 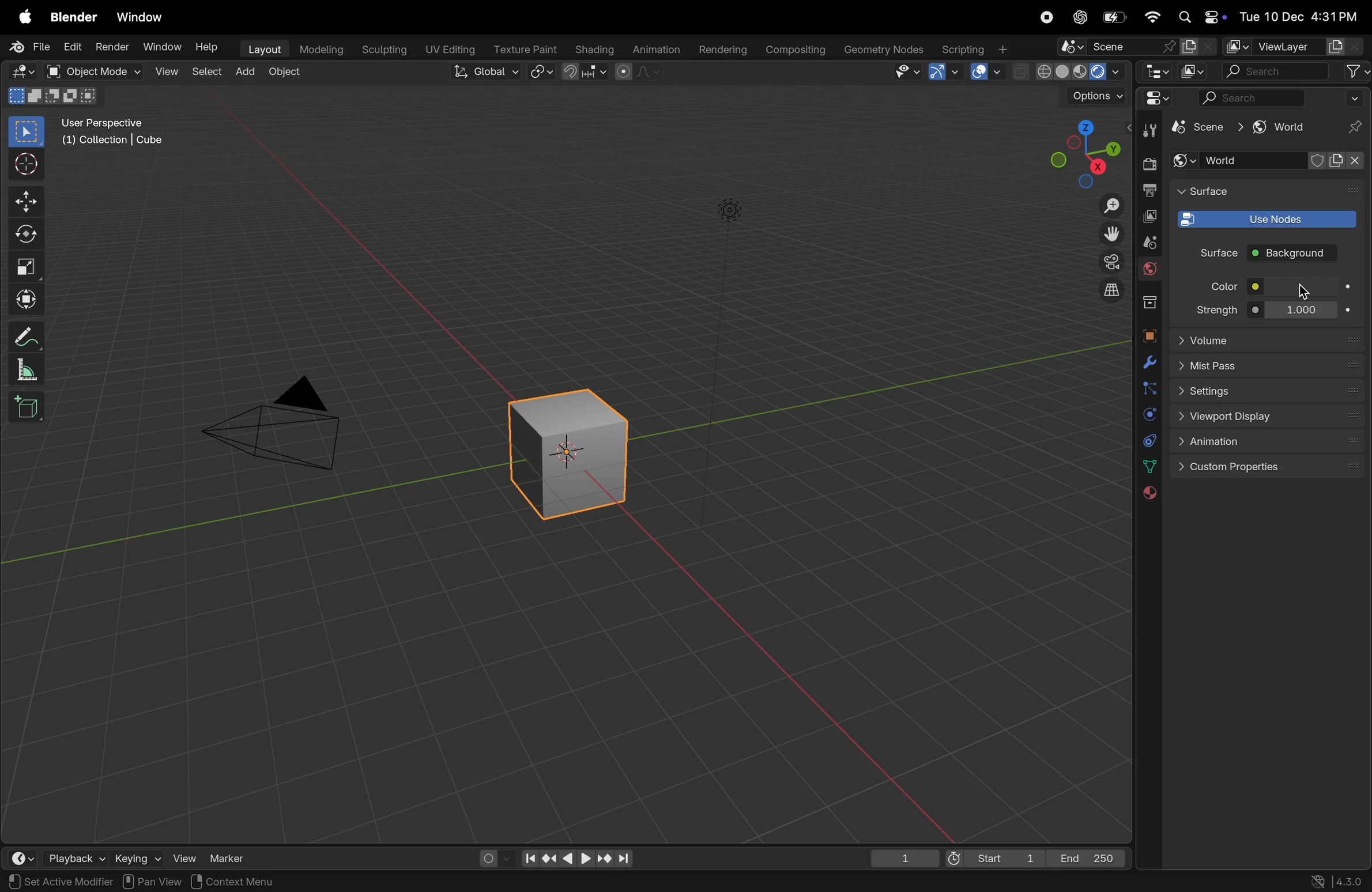 What do you see at coordinates (1303, 294) in the screenshot?
I see `cursor` at bounding box center [1303, 294].